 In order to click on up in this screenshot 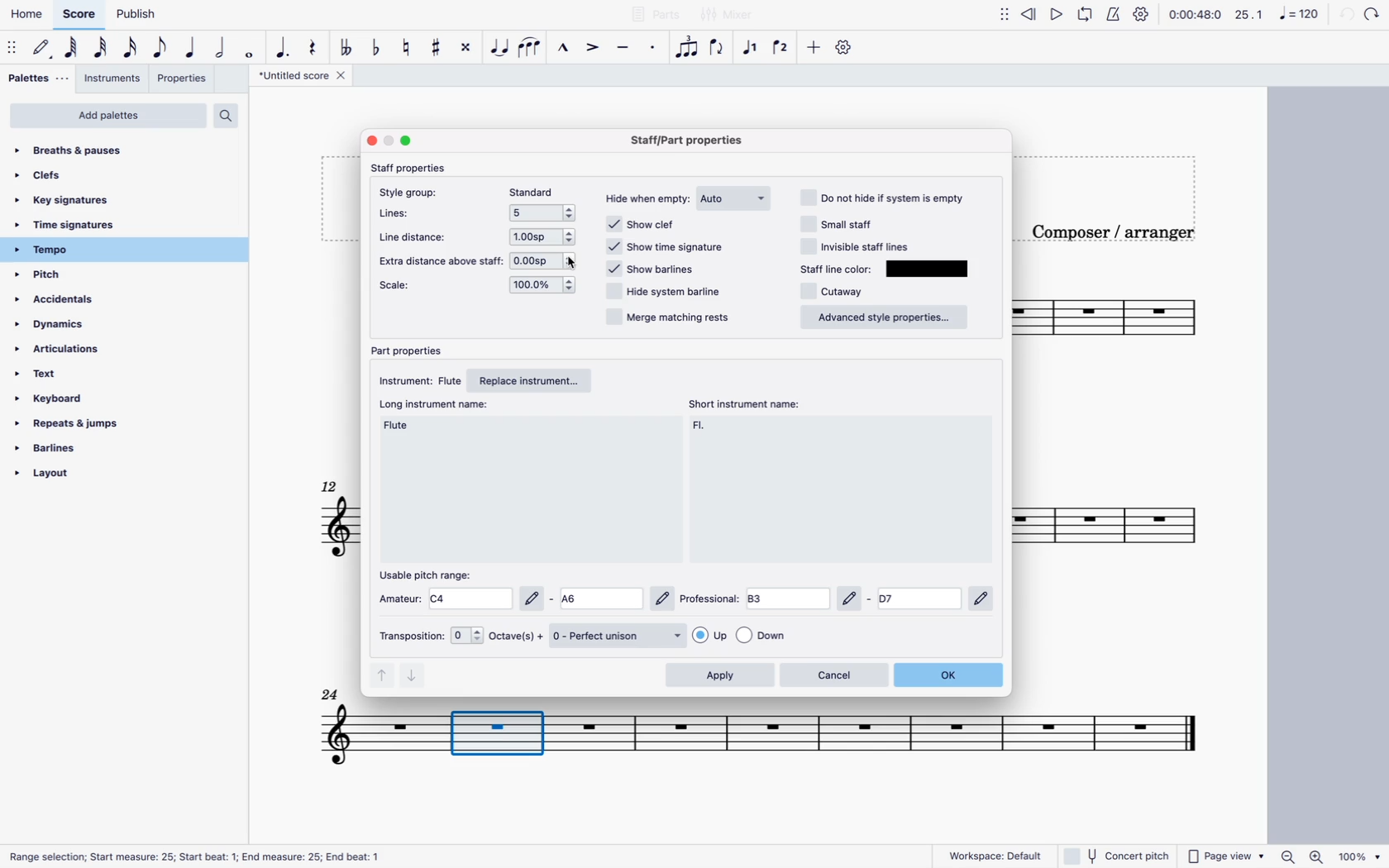, I will do `click(380, 675)`.